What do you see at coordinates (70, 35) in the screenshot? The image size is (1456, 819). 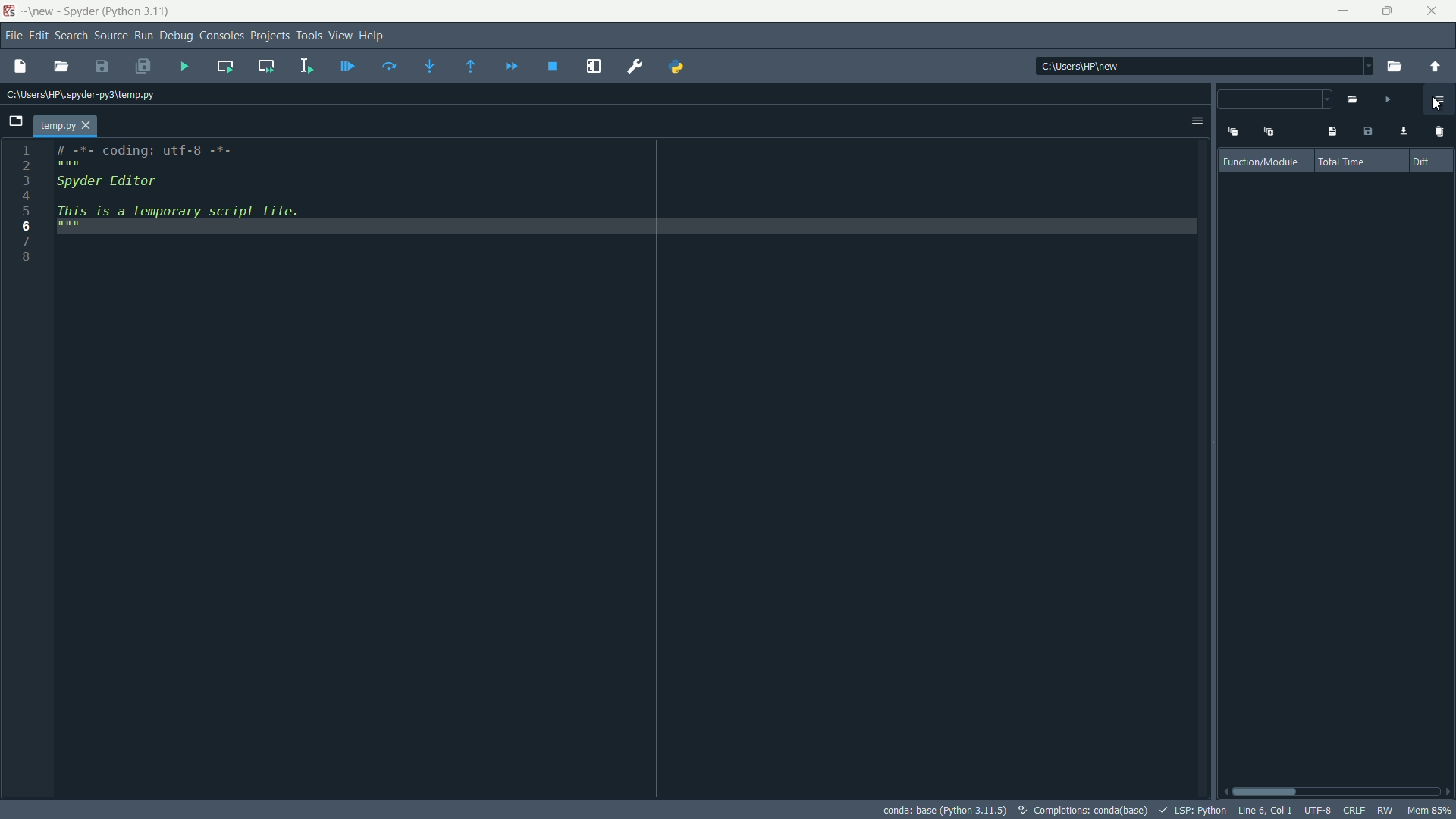 I see `search menu` at bounding box center [70, 35].